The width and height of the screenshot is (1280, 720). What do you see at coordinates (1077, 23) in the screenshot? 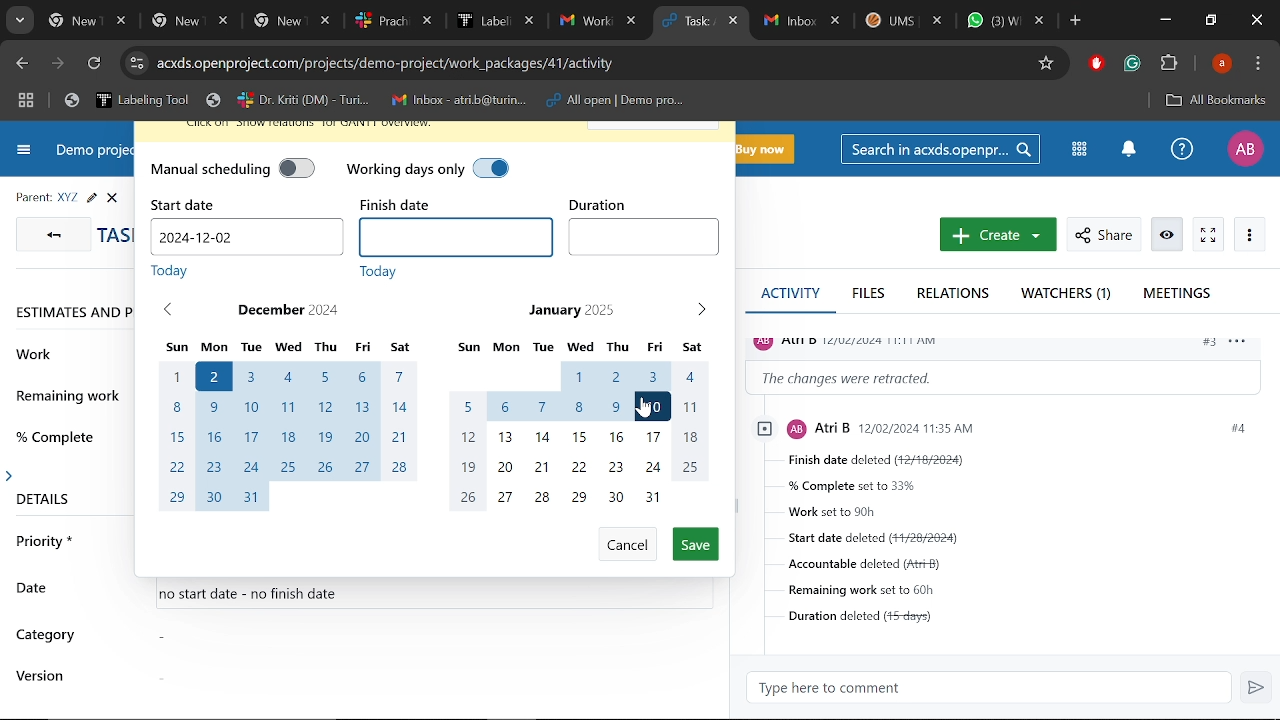
I see `Add new tab` at bounding box center [1077, 23].